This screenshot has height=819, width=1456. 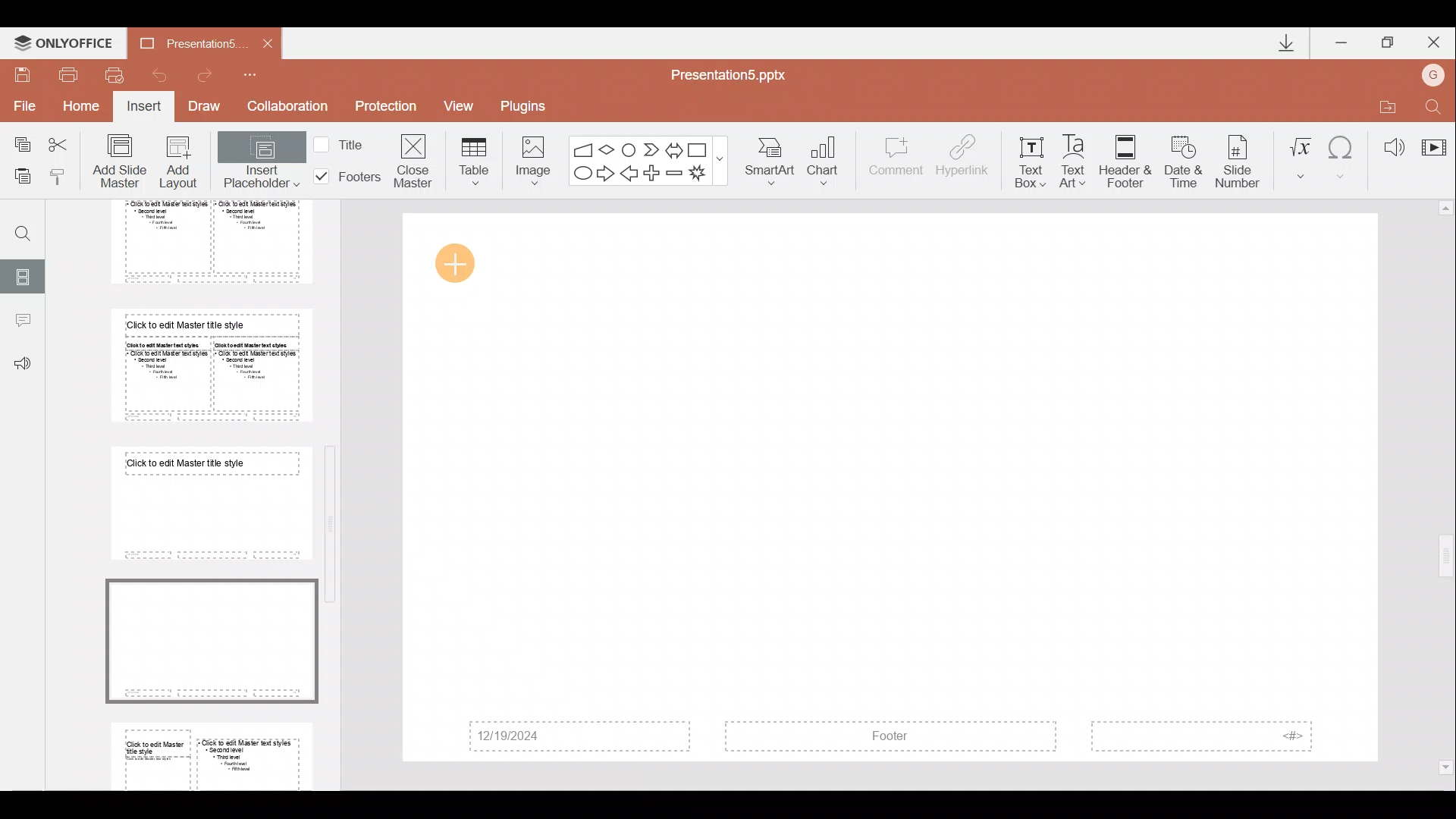 What do you see at coordinates (1436, 73) in the screenshot?
I see `Account name` at bounding box center [1436, 73].